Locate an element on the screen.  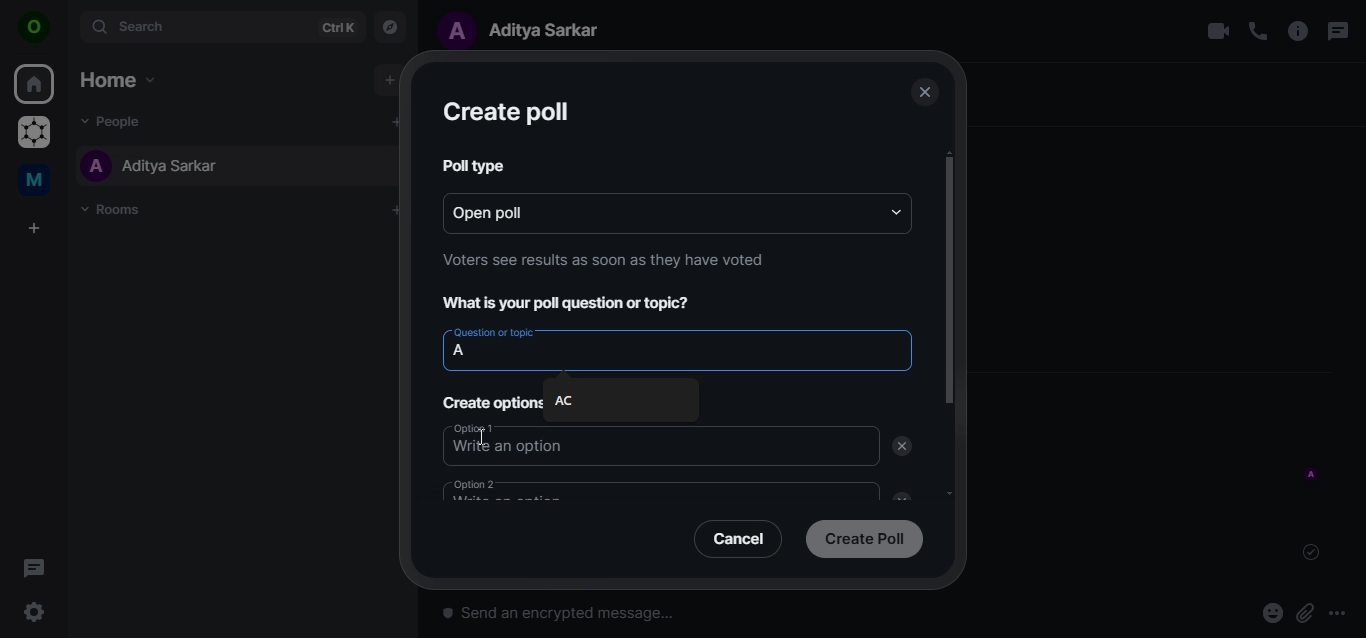
message sent by  is located at coordinates (1313, 475).